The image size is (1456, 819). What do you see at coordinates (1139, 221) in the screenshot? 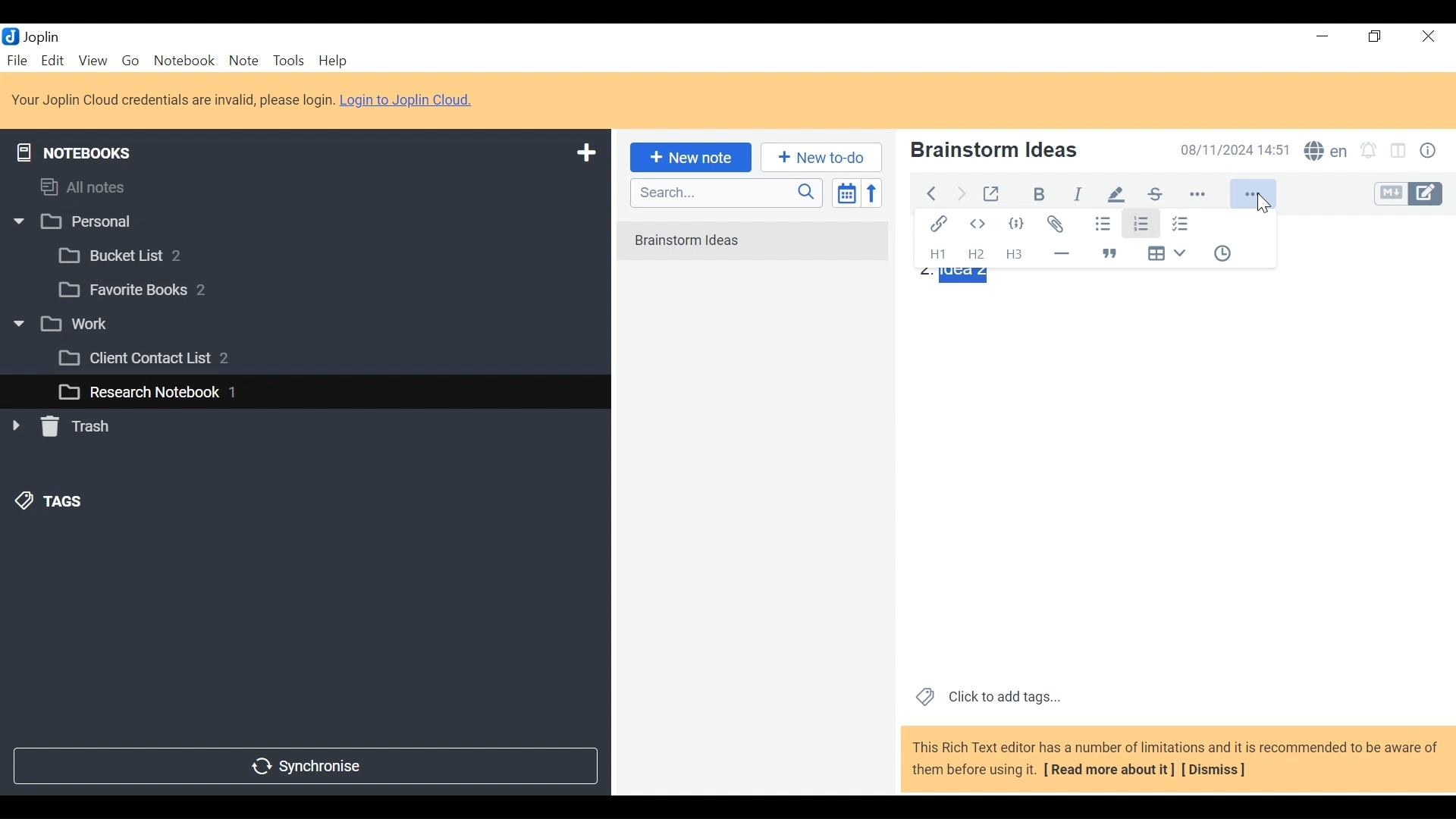
I see `Numbered List` at bounding box center [1139, 221].